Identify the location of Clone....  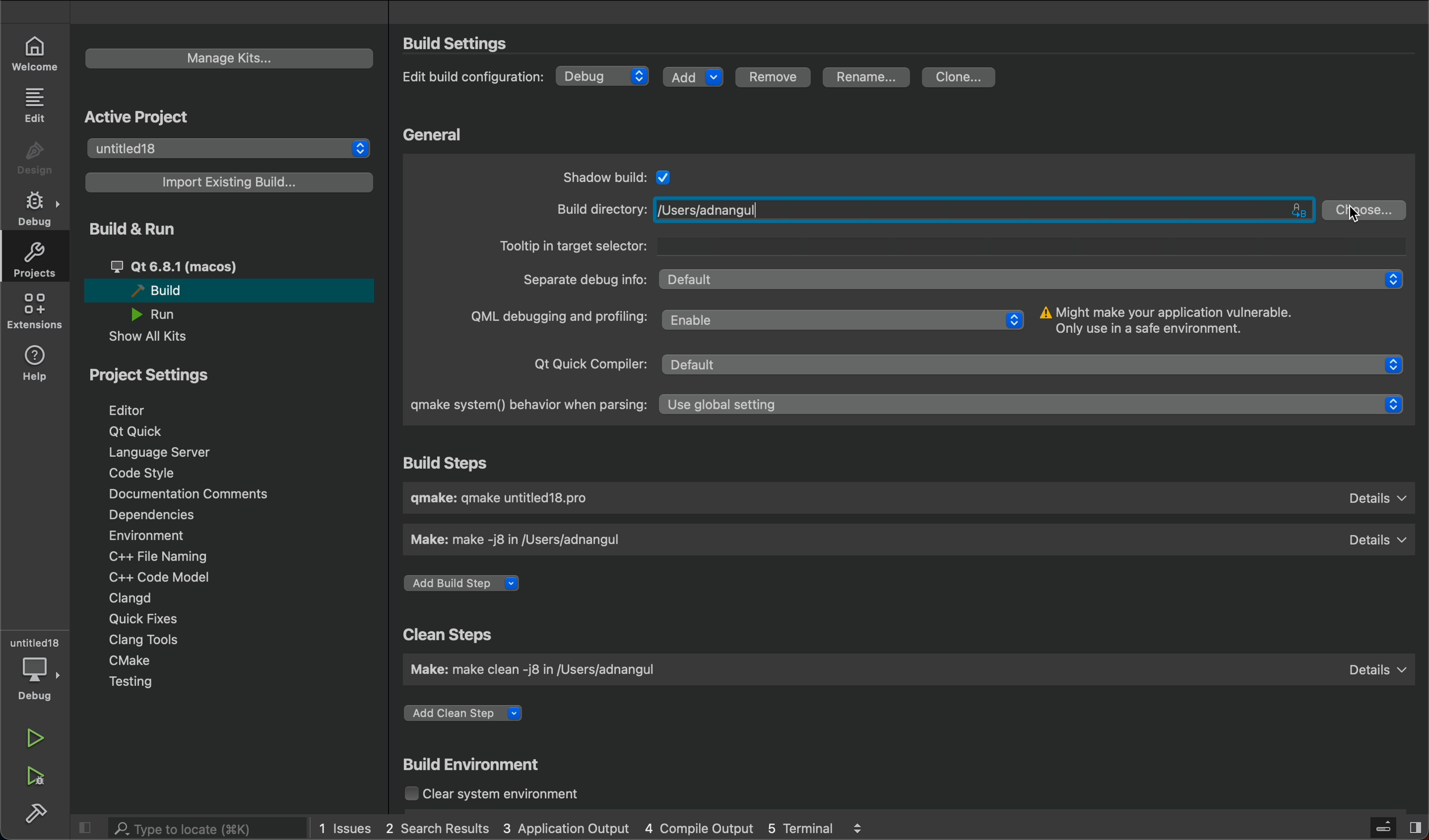
(959, 75).